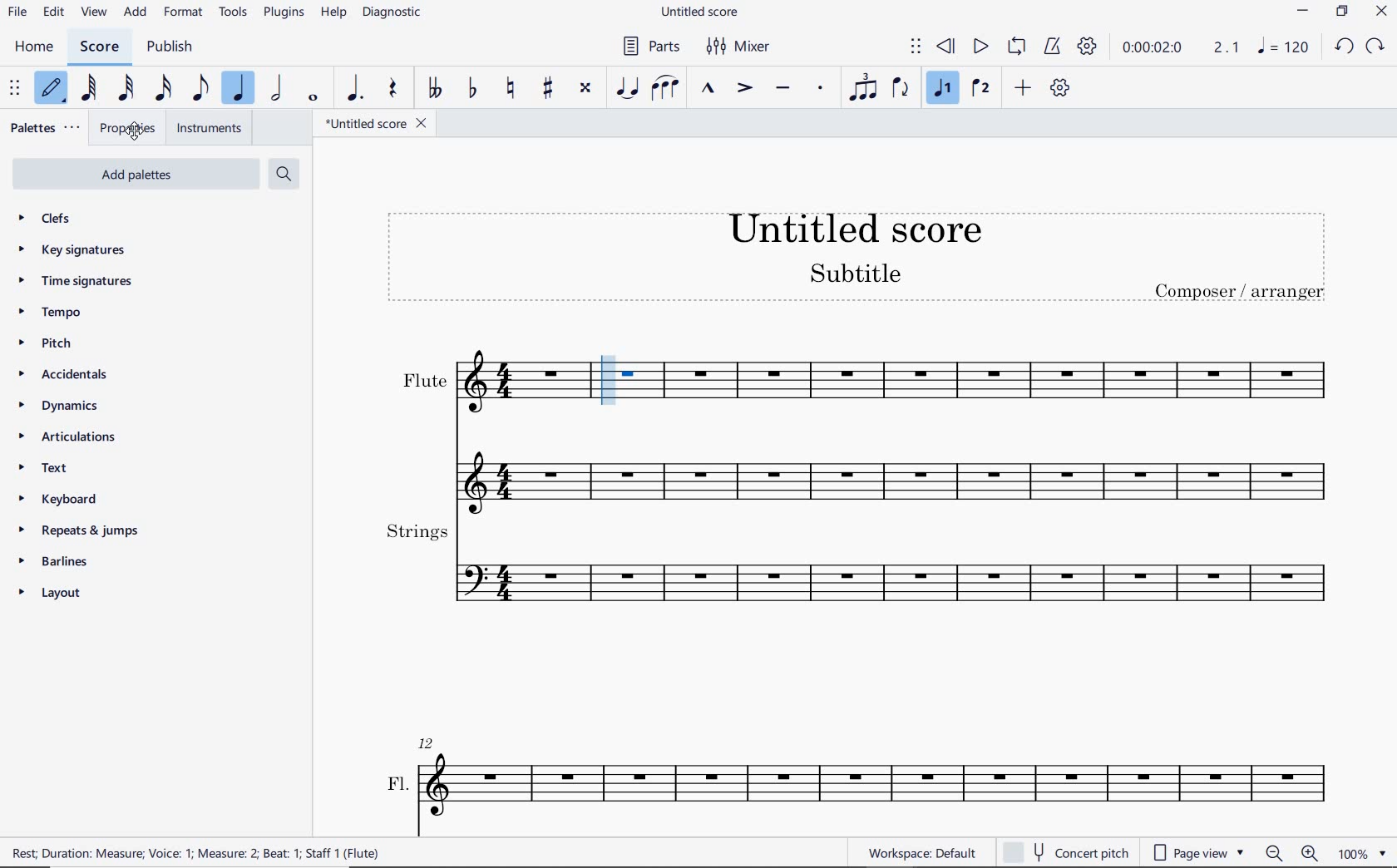 This screenshot has height=868, width=1397. I want to click on minimize, so click(1303, 13).